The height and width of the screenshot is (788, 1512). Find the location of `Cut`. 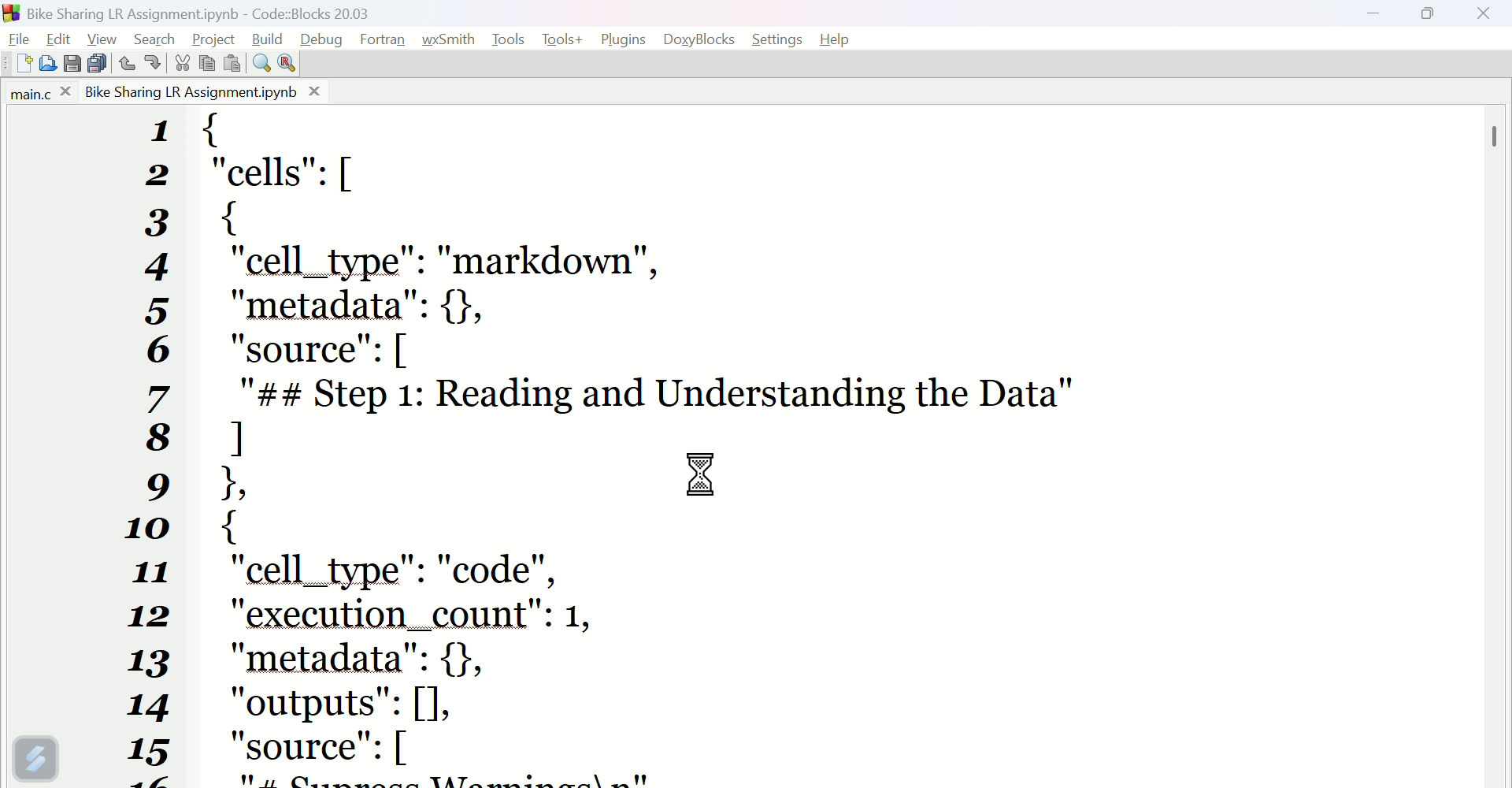

Cut is located at coordinates (178, 63).